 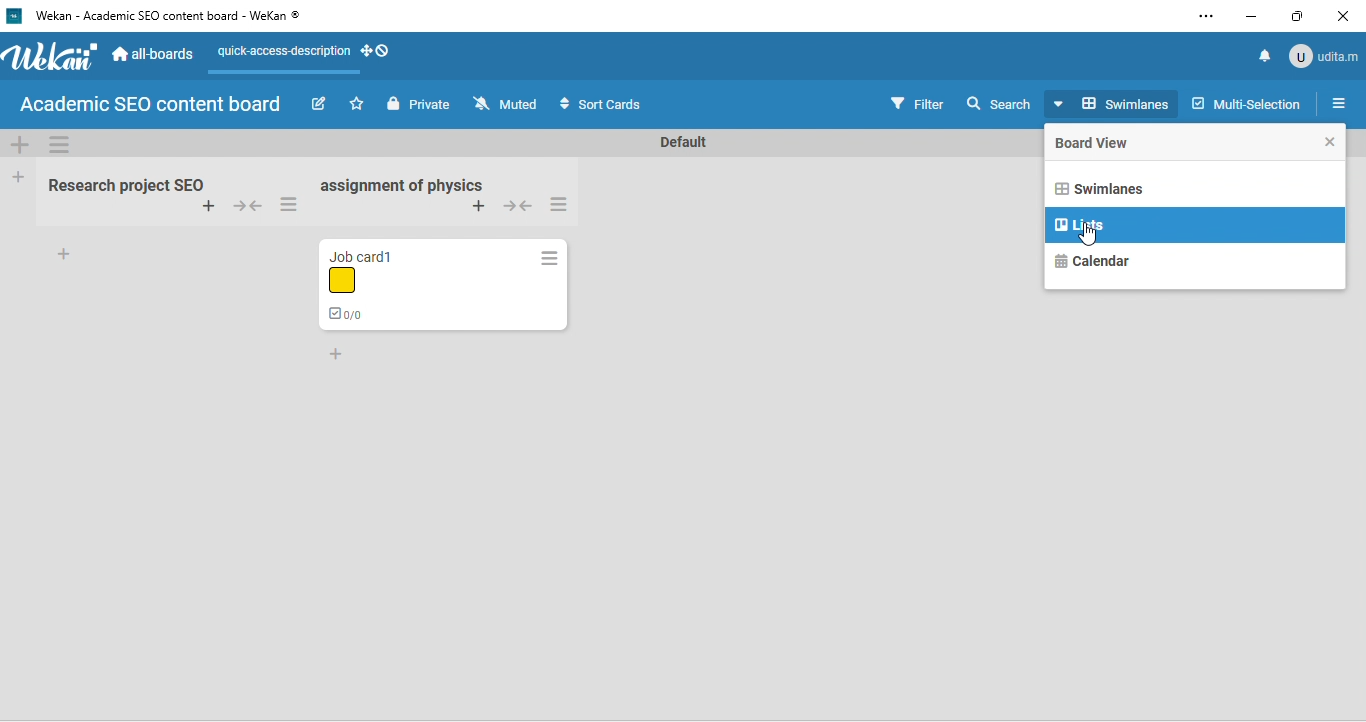 What do you see at coordinates (1095, 259) in the screenshot?
I see `Calendar` at bounding box center [1095, 259].